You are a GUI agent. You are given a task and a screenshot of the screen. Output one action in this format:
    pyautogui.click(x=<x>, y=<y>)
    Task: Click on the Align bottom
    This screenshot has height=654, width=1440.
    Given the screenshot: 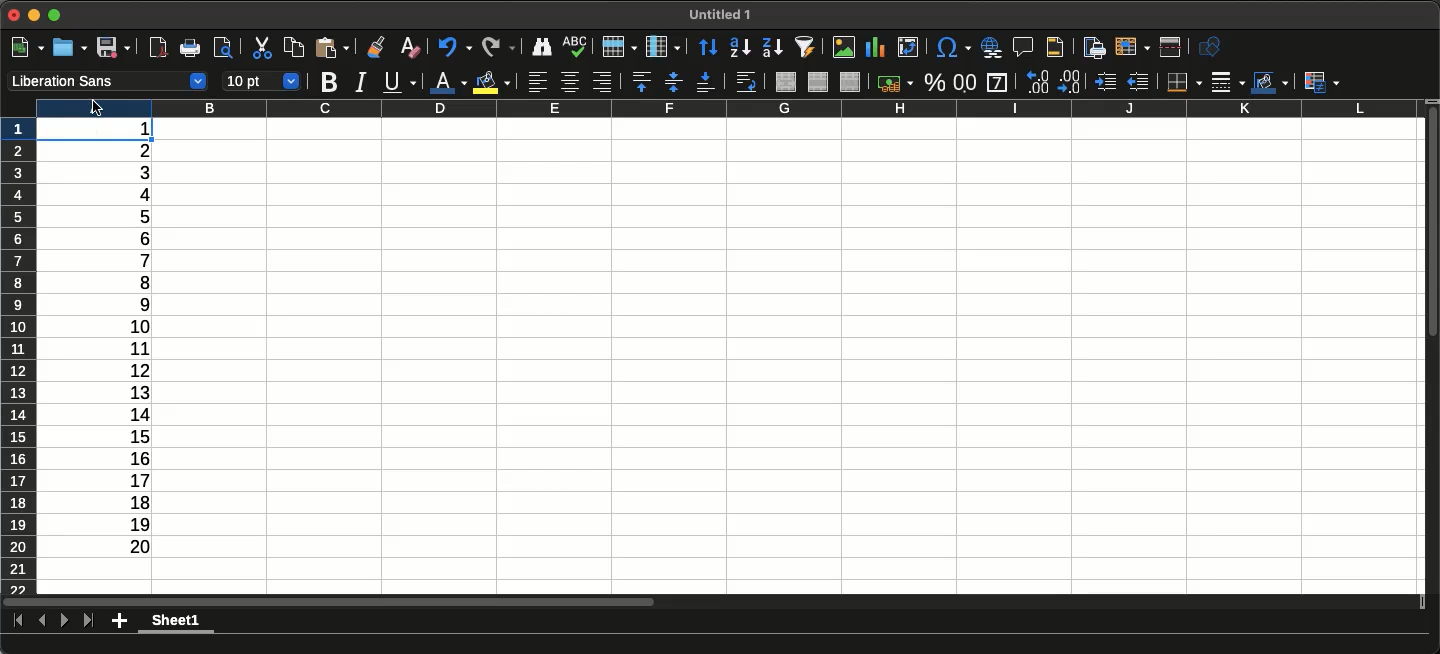 What is the action you would take?
    pyautogui.click(x=703, y=82)
    